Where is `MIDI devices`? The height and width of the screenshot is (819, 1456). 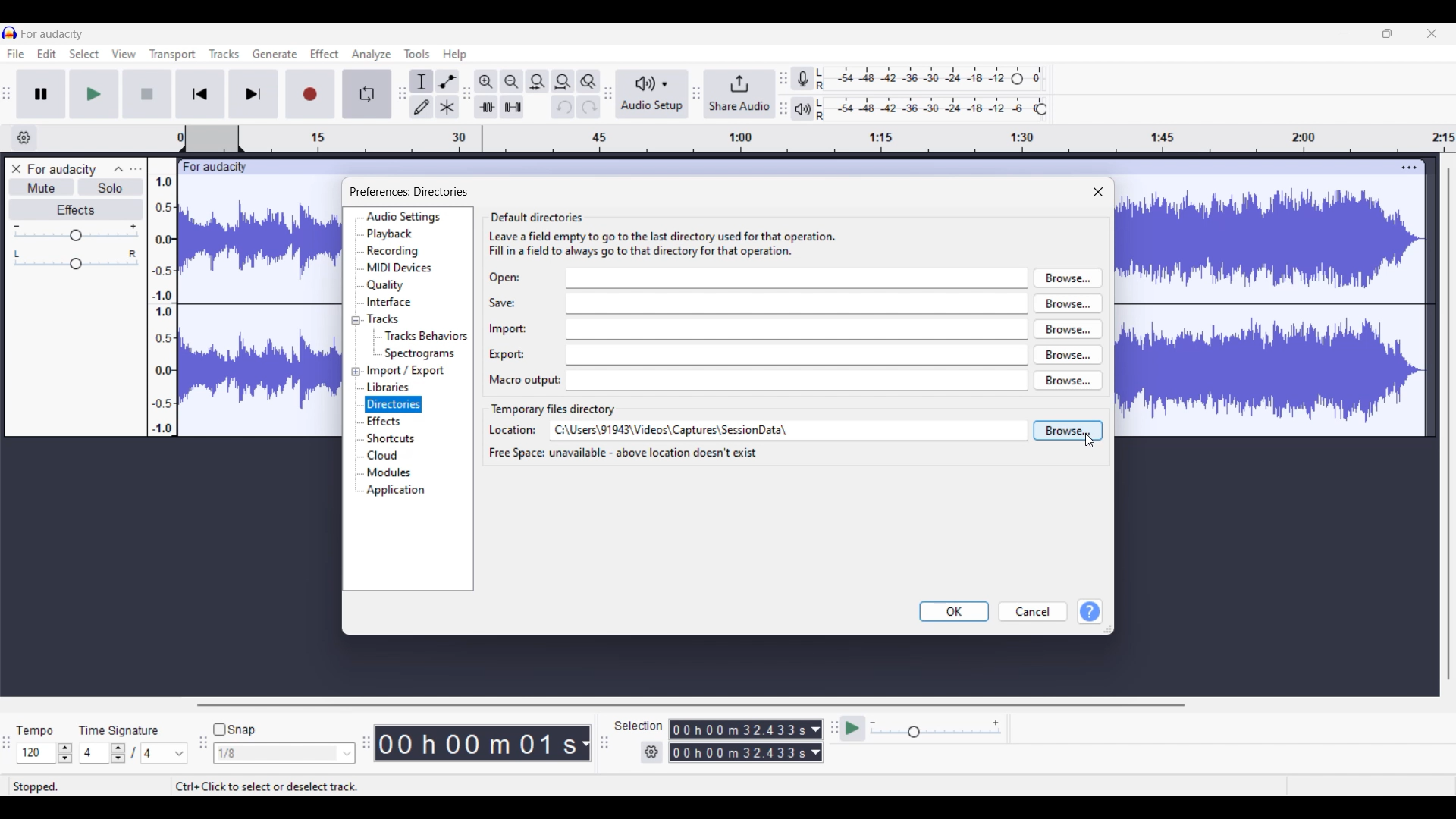 MIDI devices is located at coordinates (400, 268).